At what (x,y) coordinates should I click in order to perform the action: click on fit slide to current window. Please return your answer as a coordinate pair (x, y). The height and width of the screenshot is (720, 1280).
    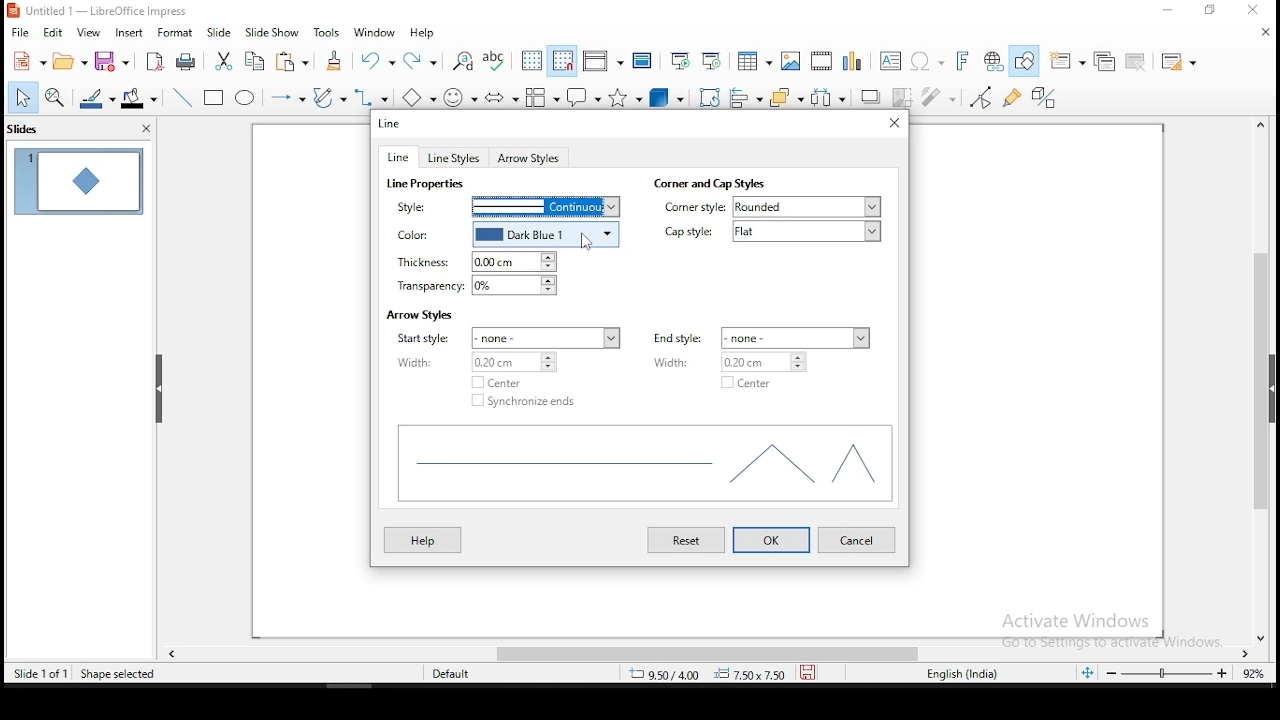
    Looking at the image, I should click on (1087, 671).